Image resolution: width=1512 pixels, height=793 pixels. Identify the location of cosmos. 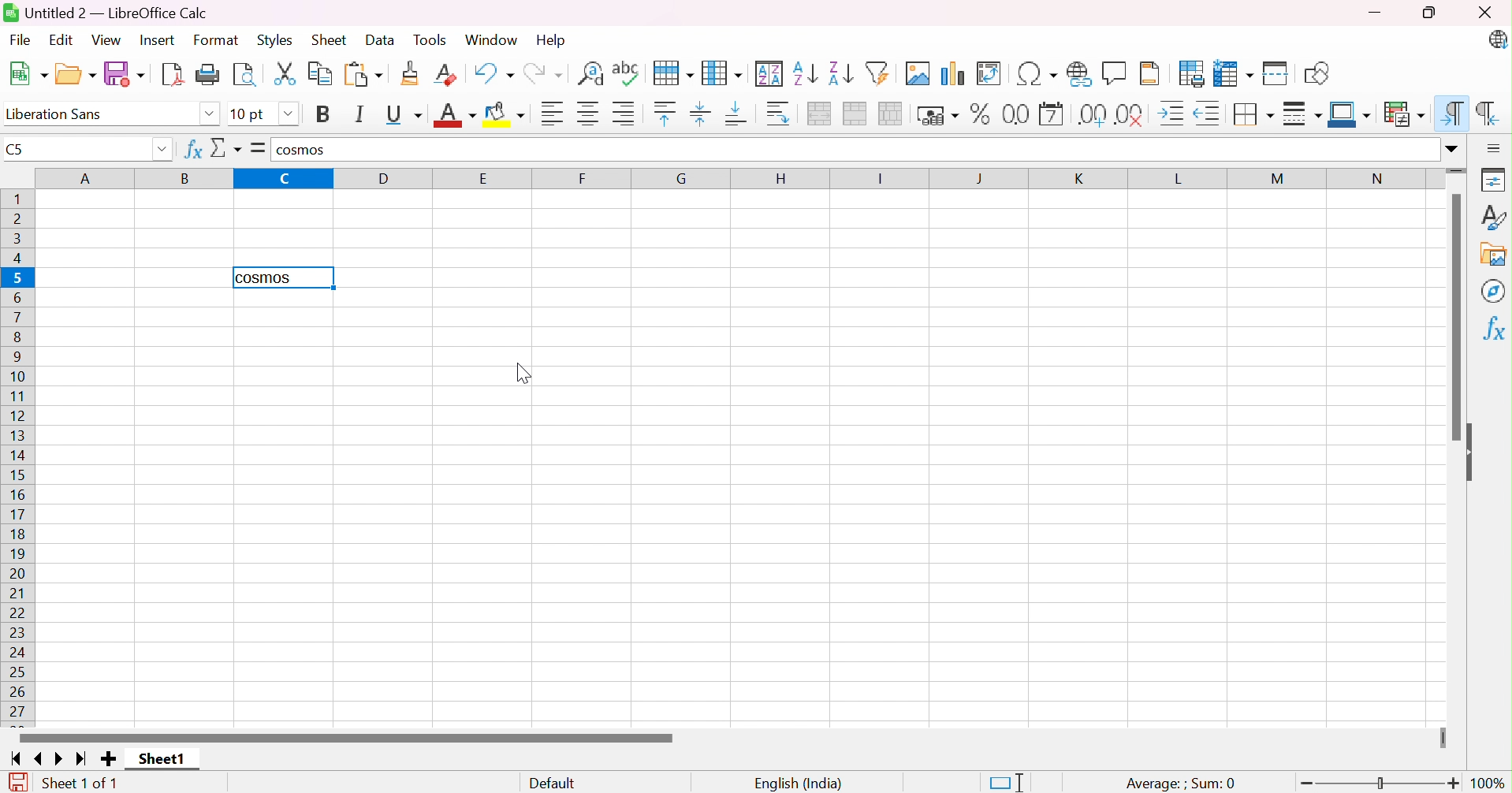
(299, 151).